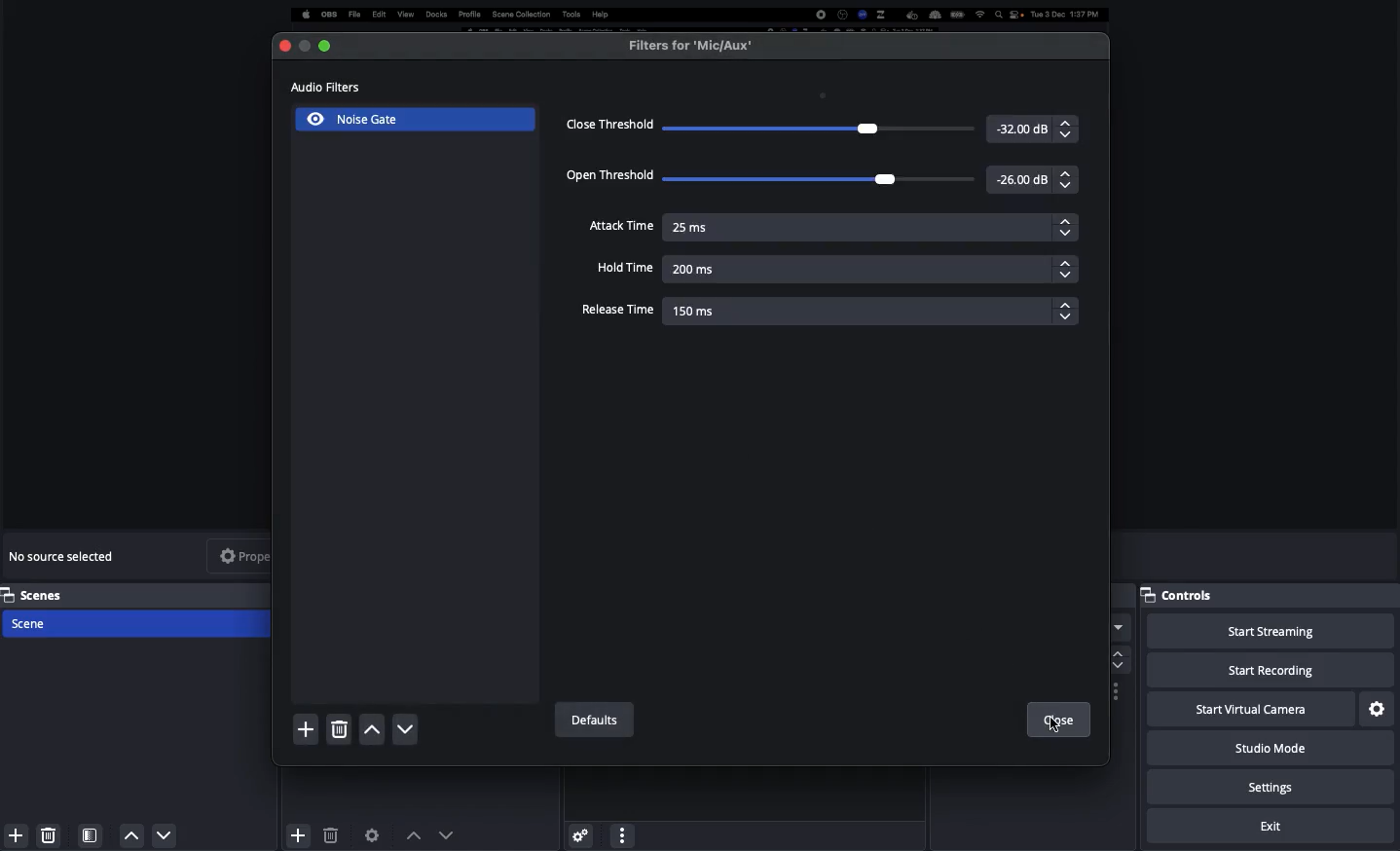 Image resolution: width=1400 pixels, height=851 pixels. Describe the element at coordinates (91, 832) in the screenshot. I see `Scene filters` at that location.